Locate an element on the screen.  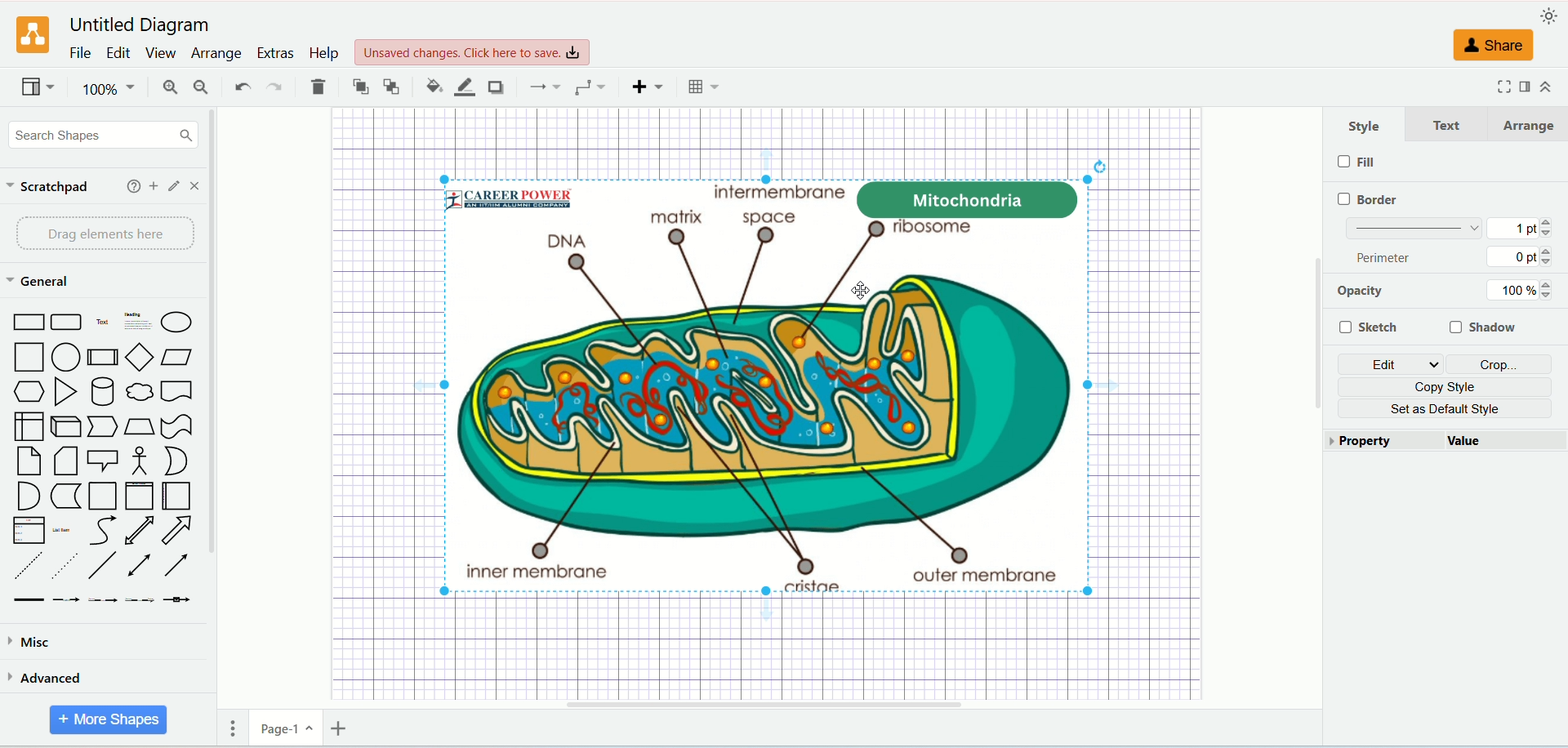
perimeter is located at coordinates (1389, 260).